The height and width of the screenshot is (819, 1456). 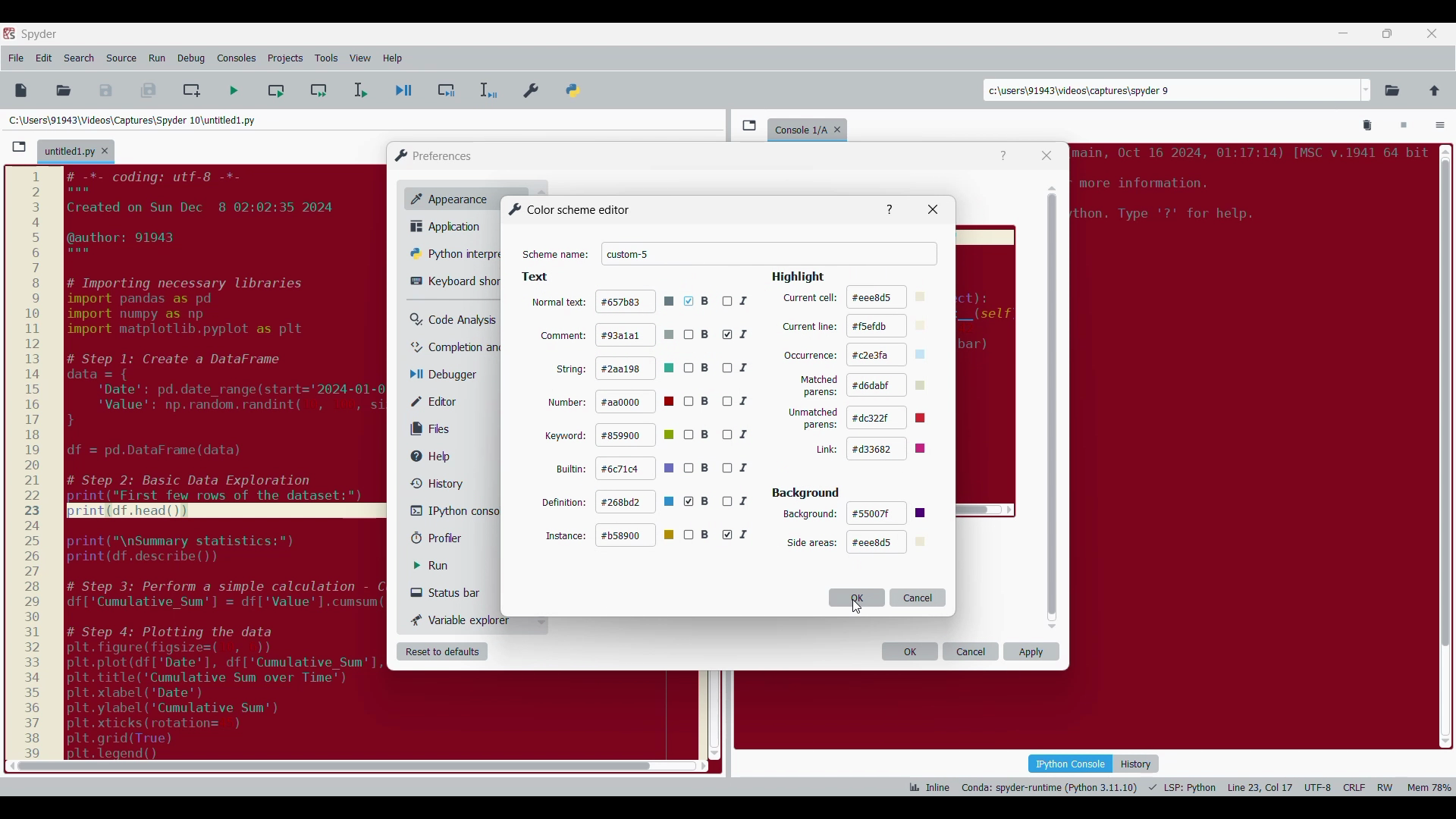 What do you see at coordinates (404, 91) in the screenshot?
I see `Debug file` at bounding box center [404, 91].